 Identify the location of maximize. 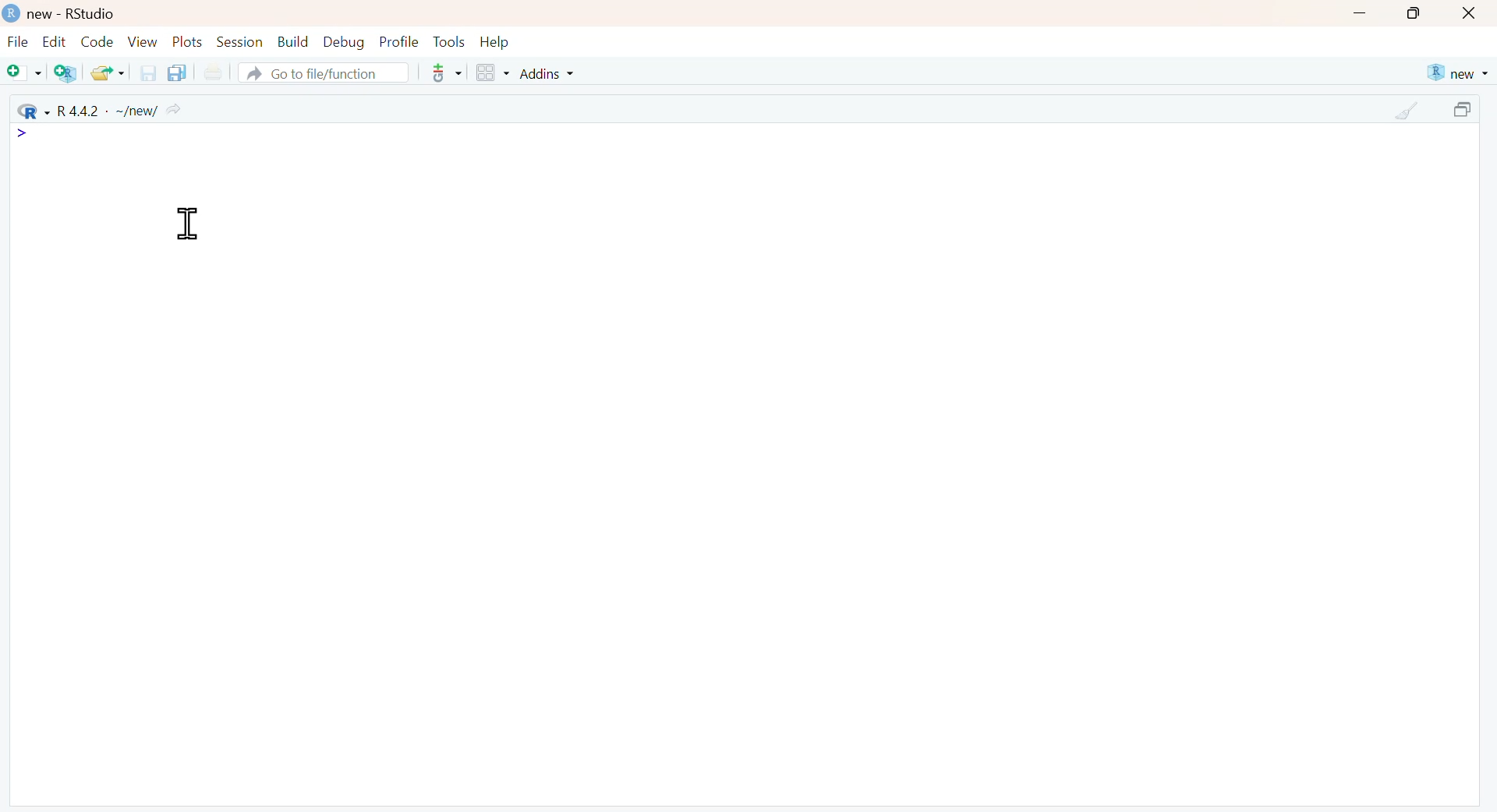
(1466, 110).